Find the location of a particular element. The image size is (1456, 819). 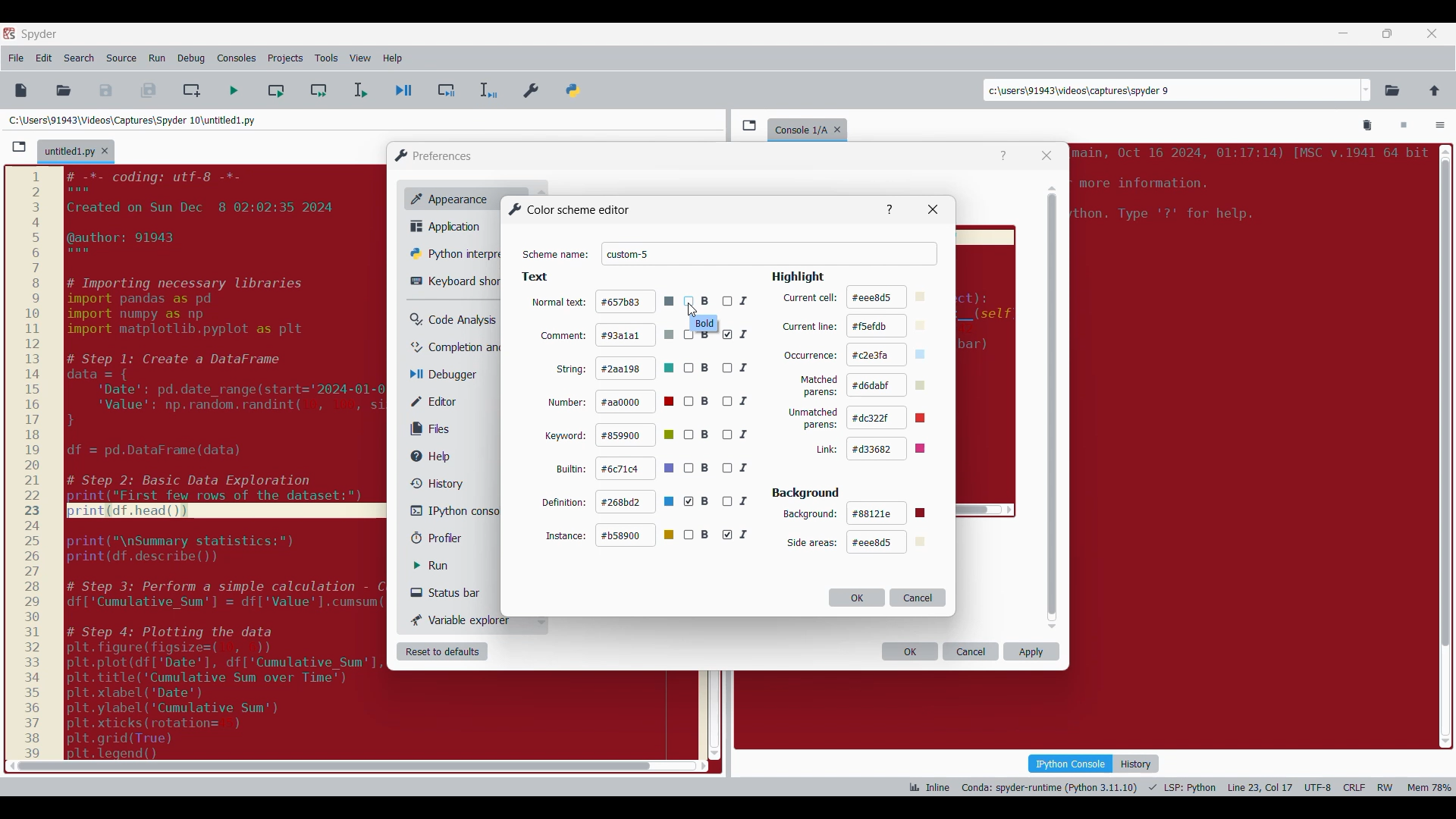

Change to parent directory is located at coordinates (1435, 90).